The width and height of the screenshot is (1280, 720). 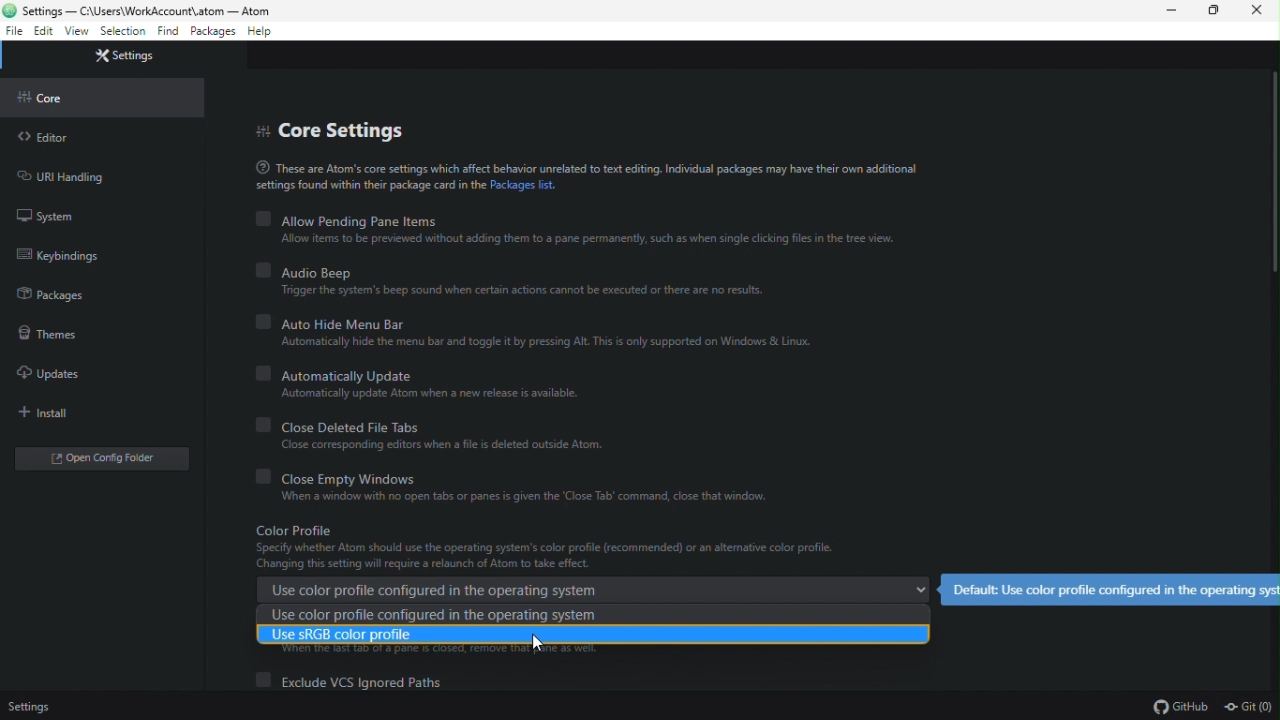 I want to click on use color profile configured in the operating system, so click(x=592, y=587).